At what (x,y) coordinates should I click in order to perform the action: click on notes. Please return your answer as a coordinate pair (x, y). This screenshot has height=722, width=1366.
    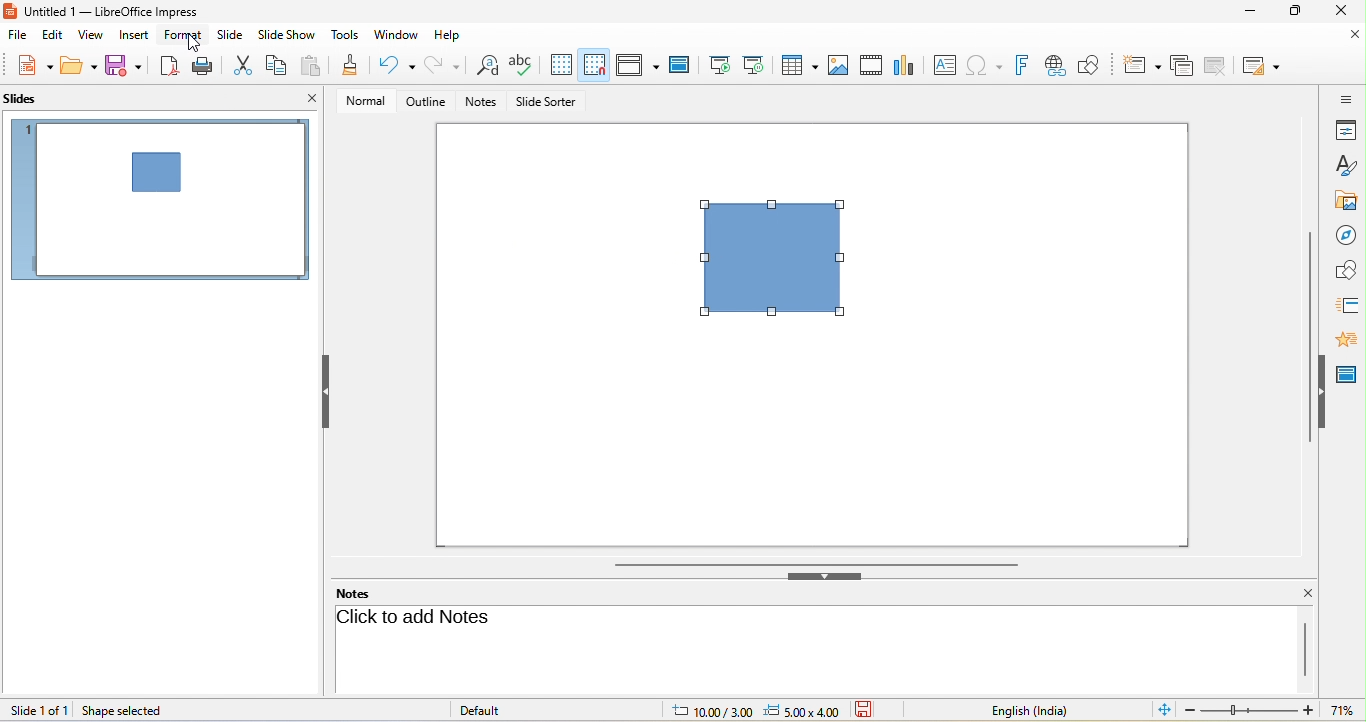
    Looking at the image, I should click on (482, 103).